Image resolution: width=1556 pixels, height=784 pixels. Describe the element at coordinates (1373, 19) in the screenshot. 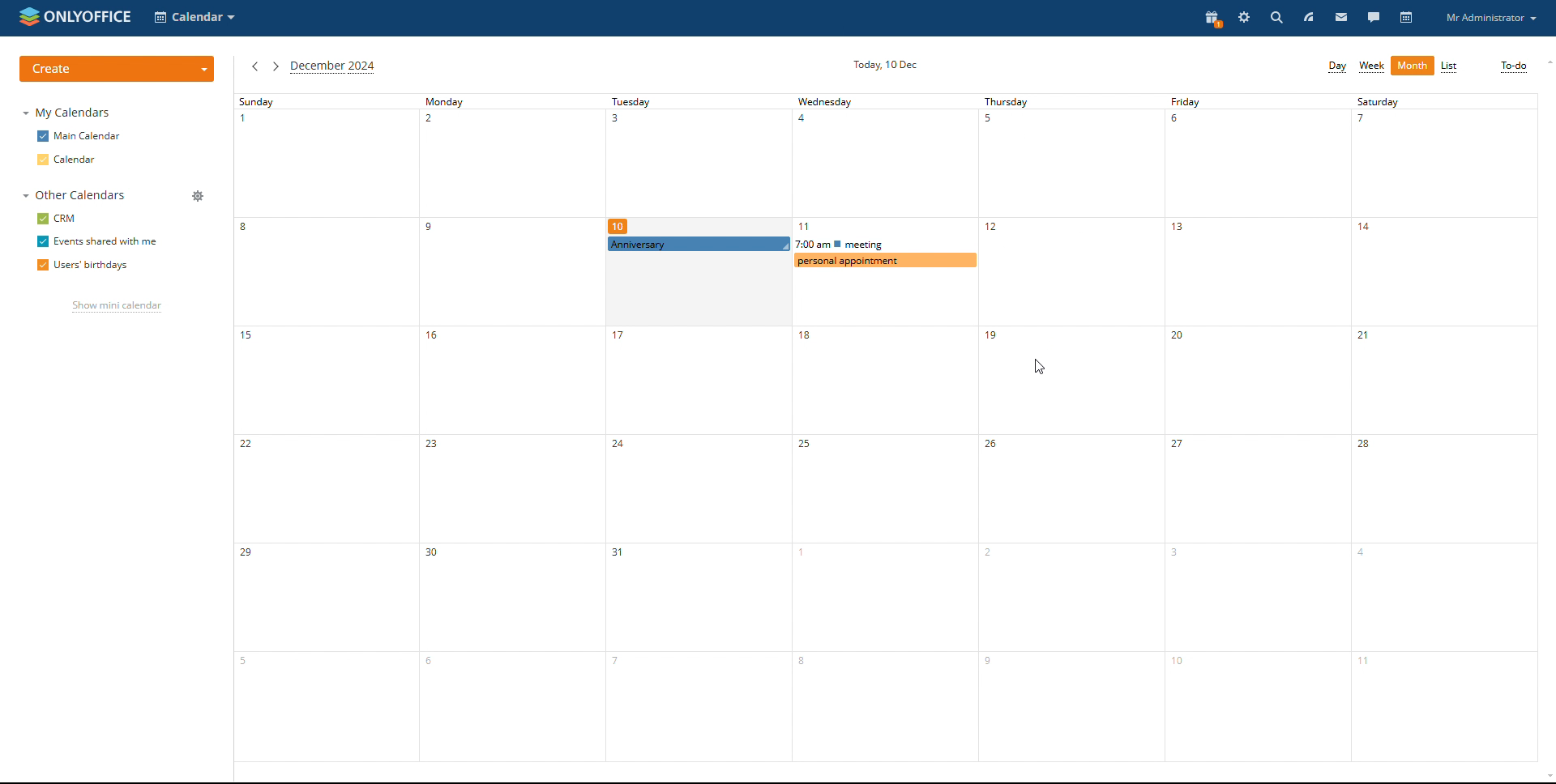

I see `talk` at that location.